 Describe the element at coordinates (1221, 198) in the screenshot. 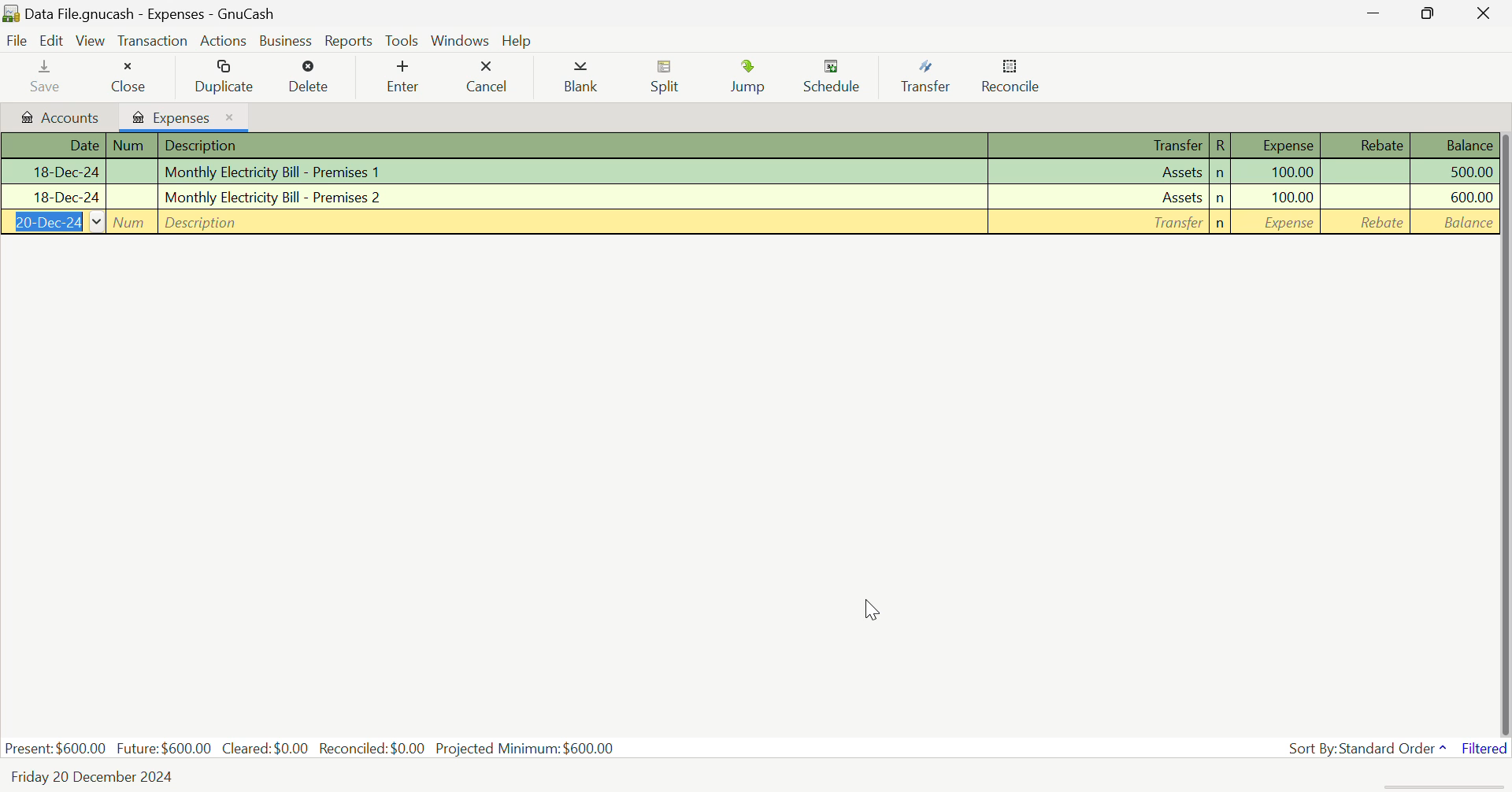

I see `n` at that location.